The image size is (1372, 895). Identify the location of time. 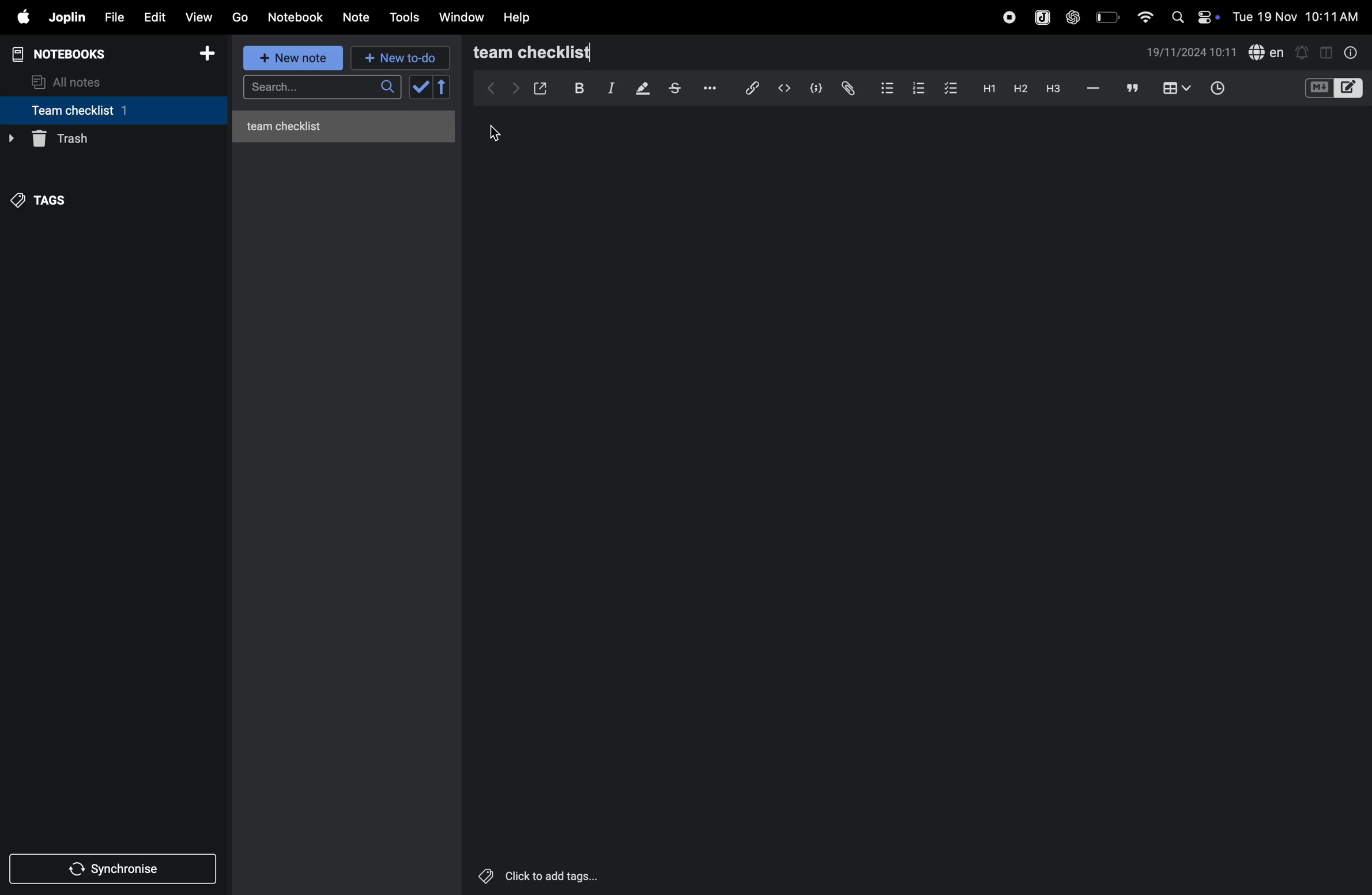
(1219, 87).